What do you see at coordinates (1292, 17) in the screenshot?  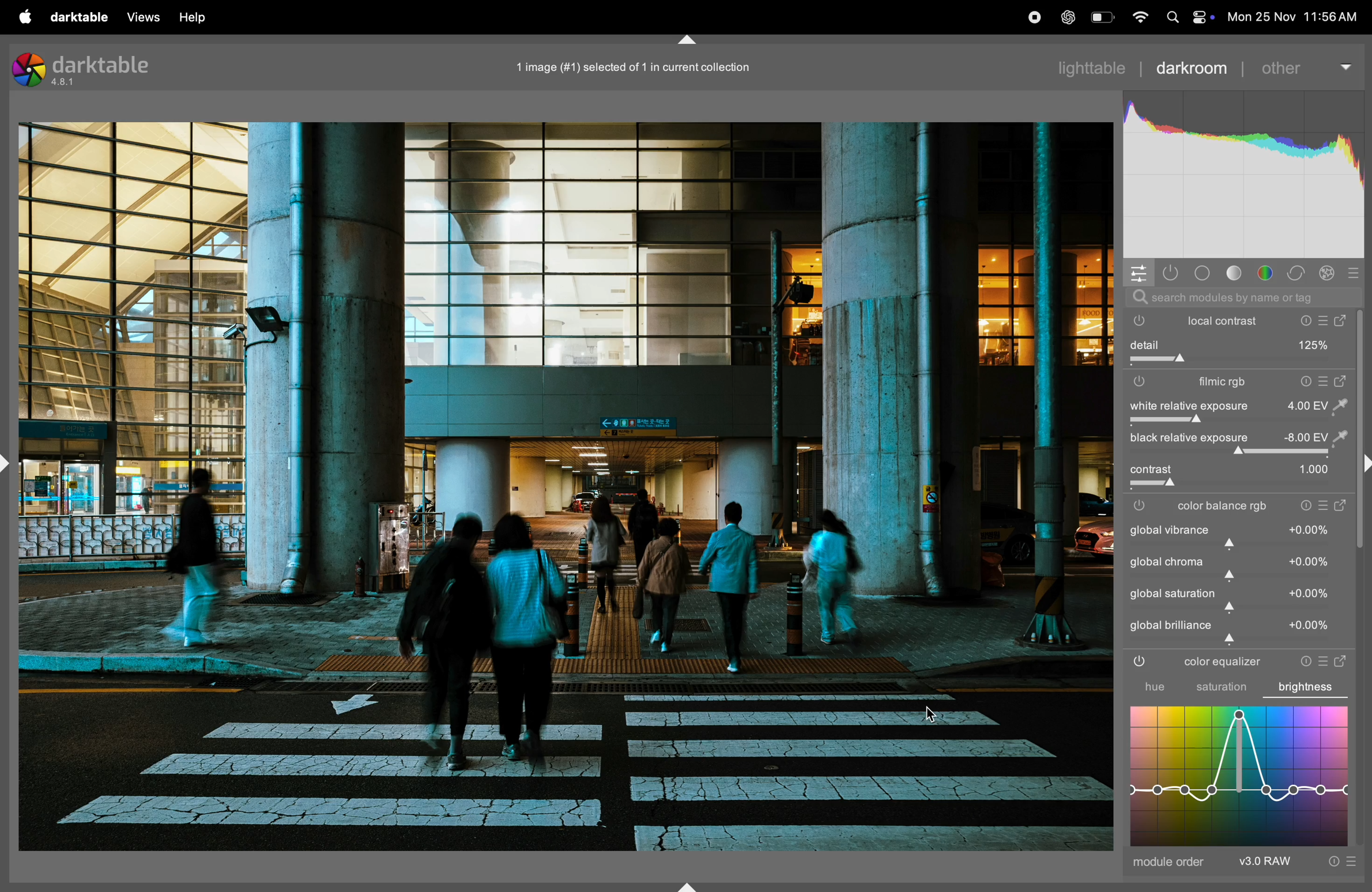 I see `date and time` at bounding box center [1292, 17].